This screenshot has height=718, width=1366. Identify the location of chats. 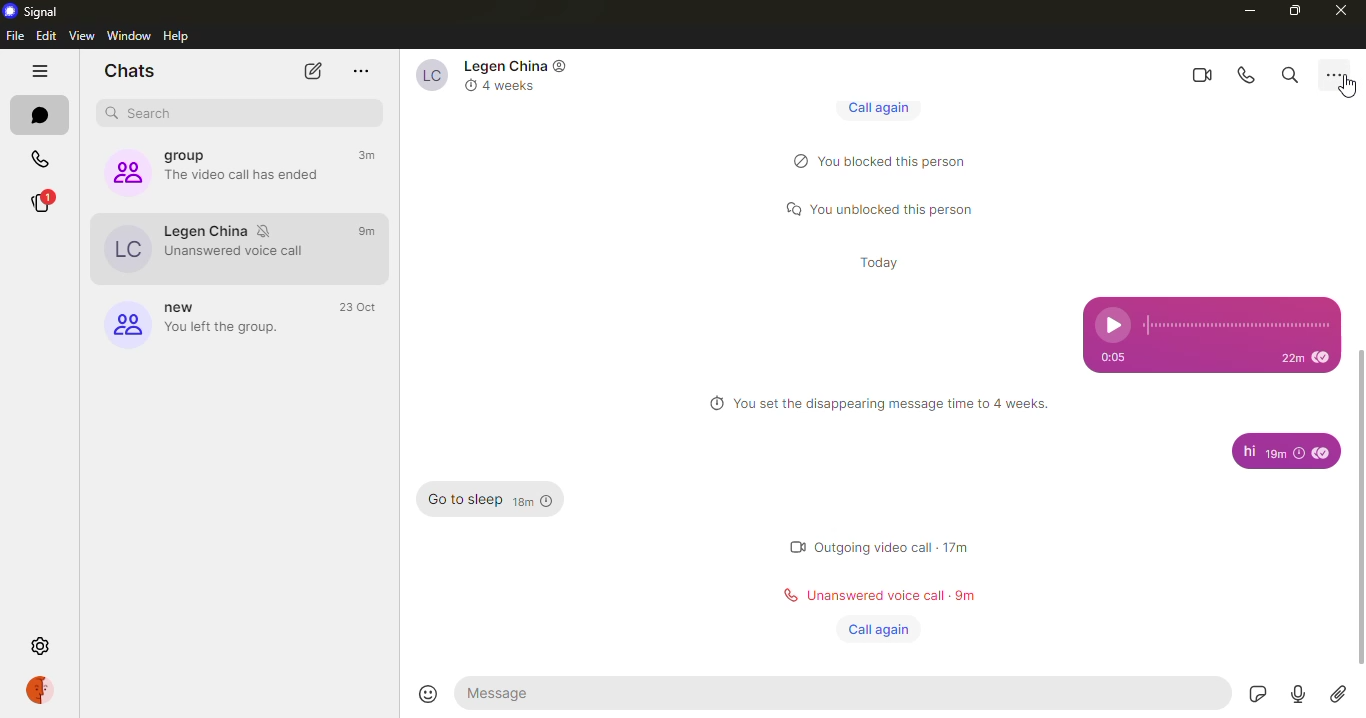
(40, 116).